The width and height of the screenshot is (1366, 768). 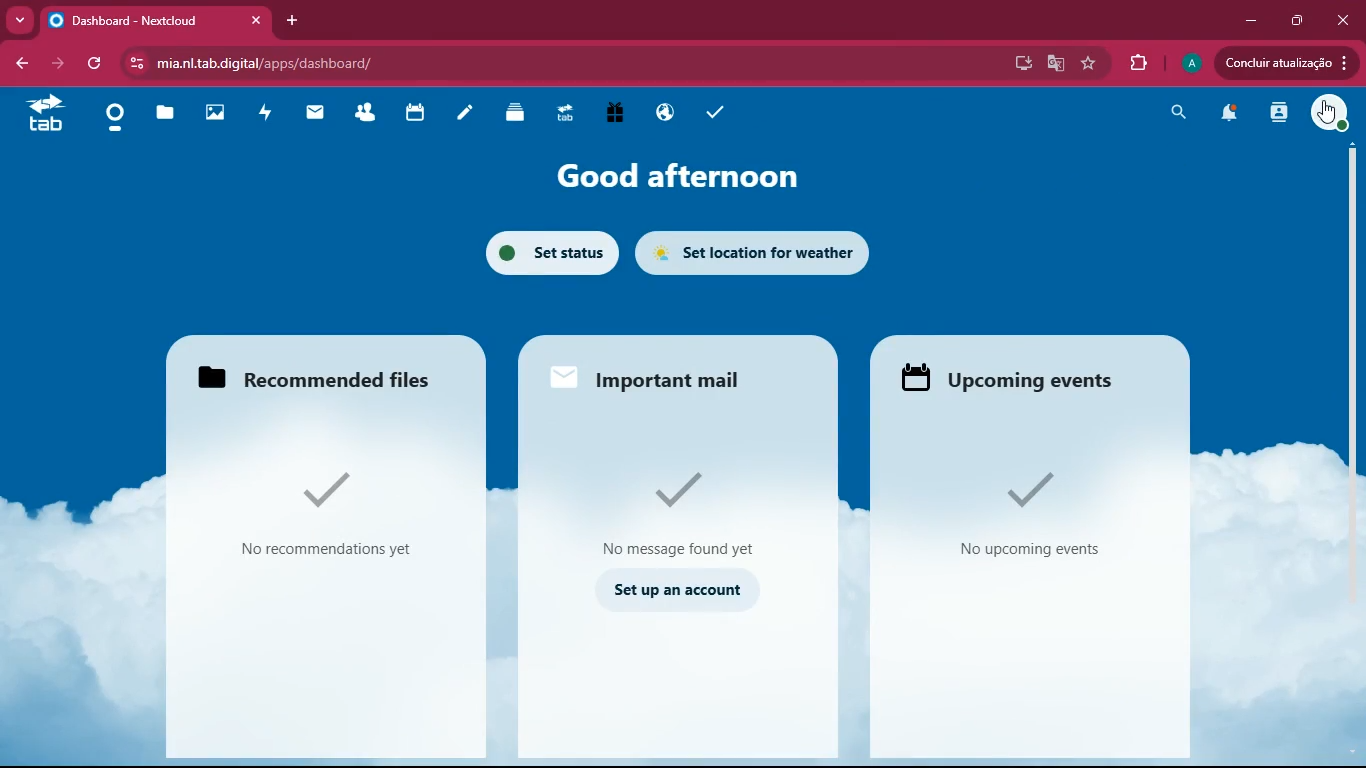 I want to click on extension, so click(x=1138, y=60).